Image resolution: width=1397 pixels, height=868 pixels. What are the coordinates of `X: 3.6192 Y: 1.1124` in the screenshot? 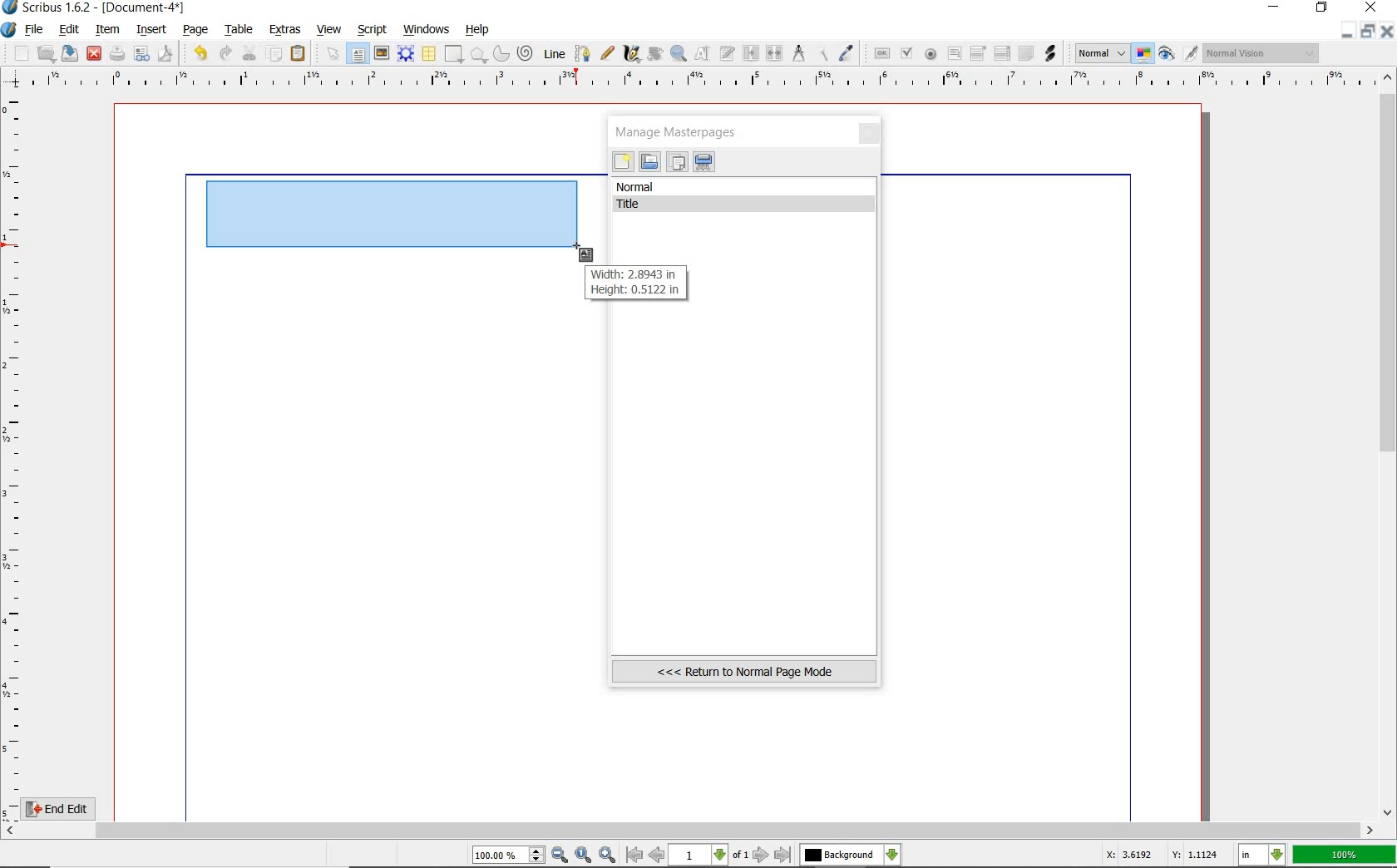 It's located at (1162, 856).